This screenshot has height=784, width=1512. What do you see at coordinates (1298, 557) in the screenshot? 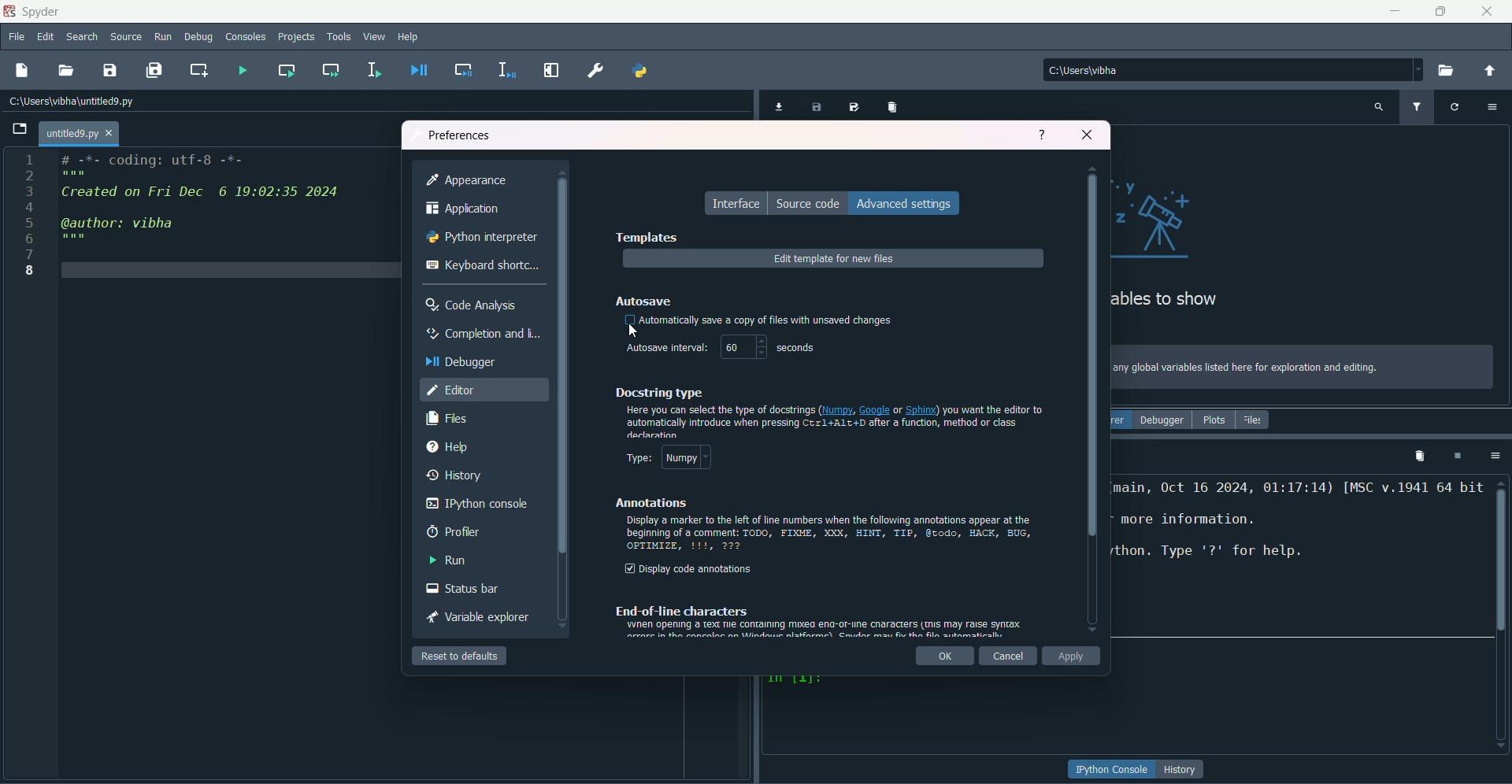
I see `text` at bounding box center [1298, 557].